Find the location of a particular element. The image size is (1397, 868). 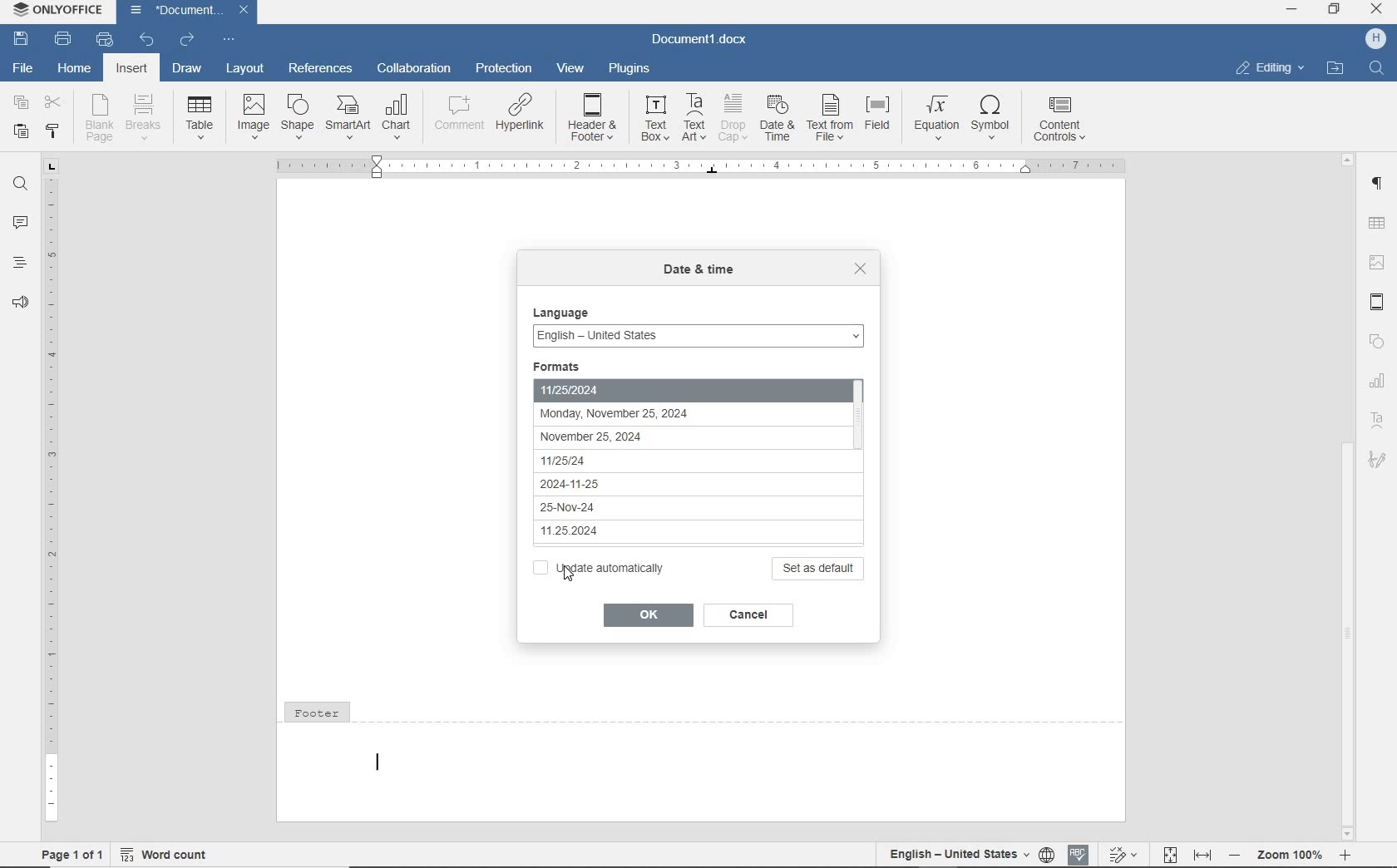

view is located at coordinates (570, 67).